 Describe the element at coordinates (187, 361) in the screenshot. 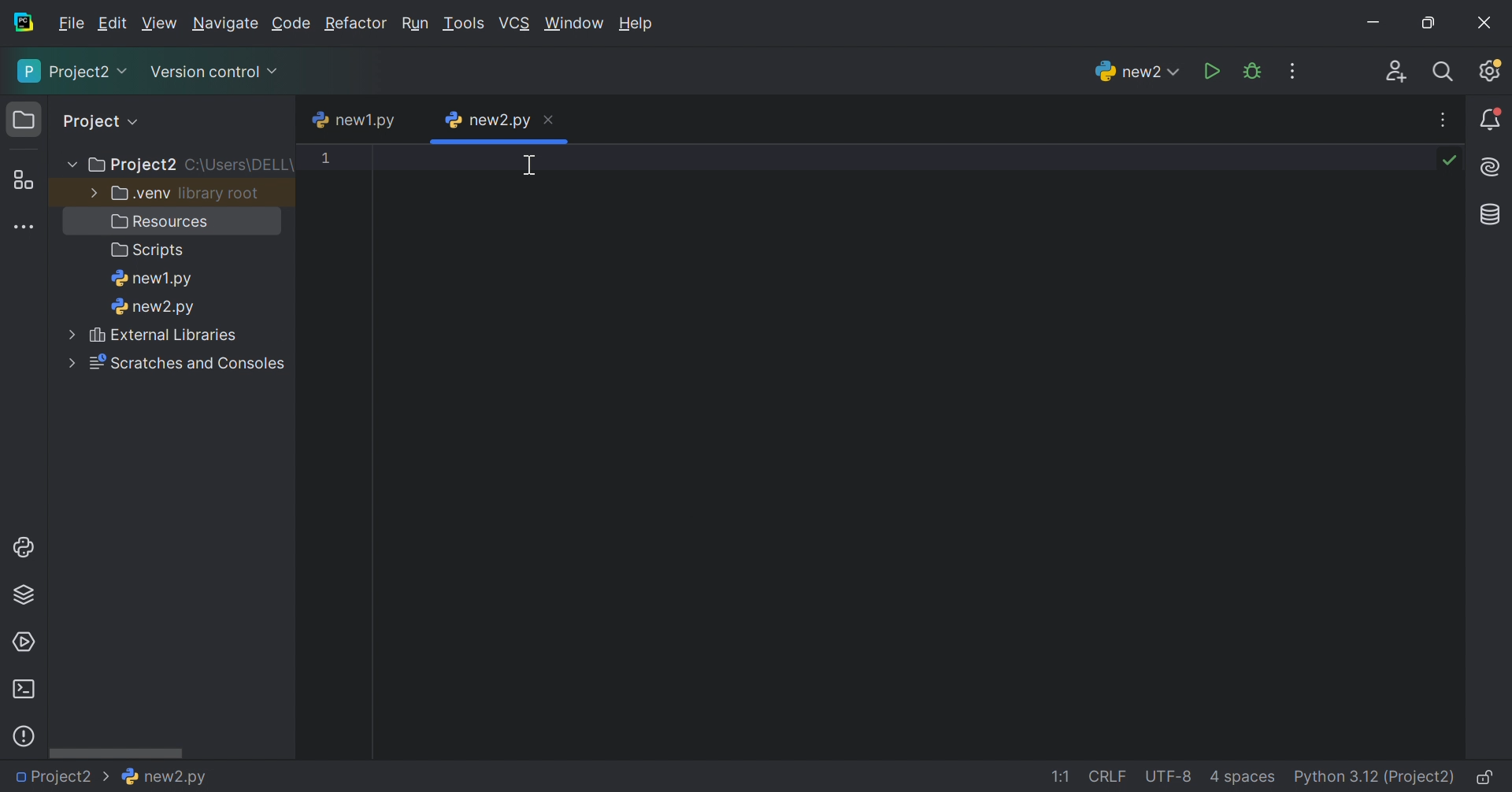

I see `Scratches and consoles` at that location.